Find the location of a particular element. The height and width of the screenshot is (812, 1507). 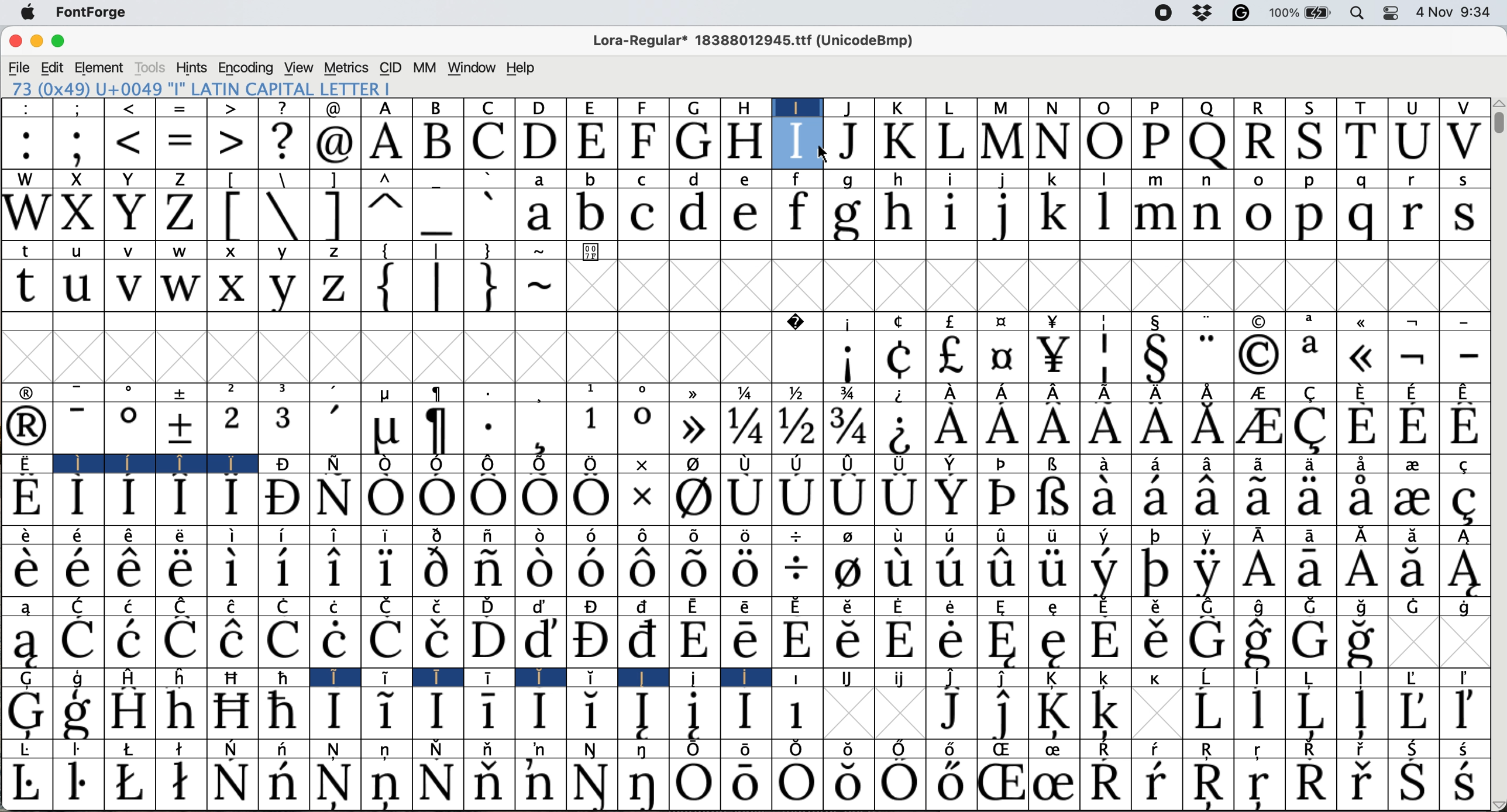

Symbol is located at coordinates (284, 535).